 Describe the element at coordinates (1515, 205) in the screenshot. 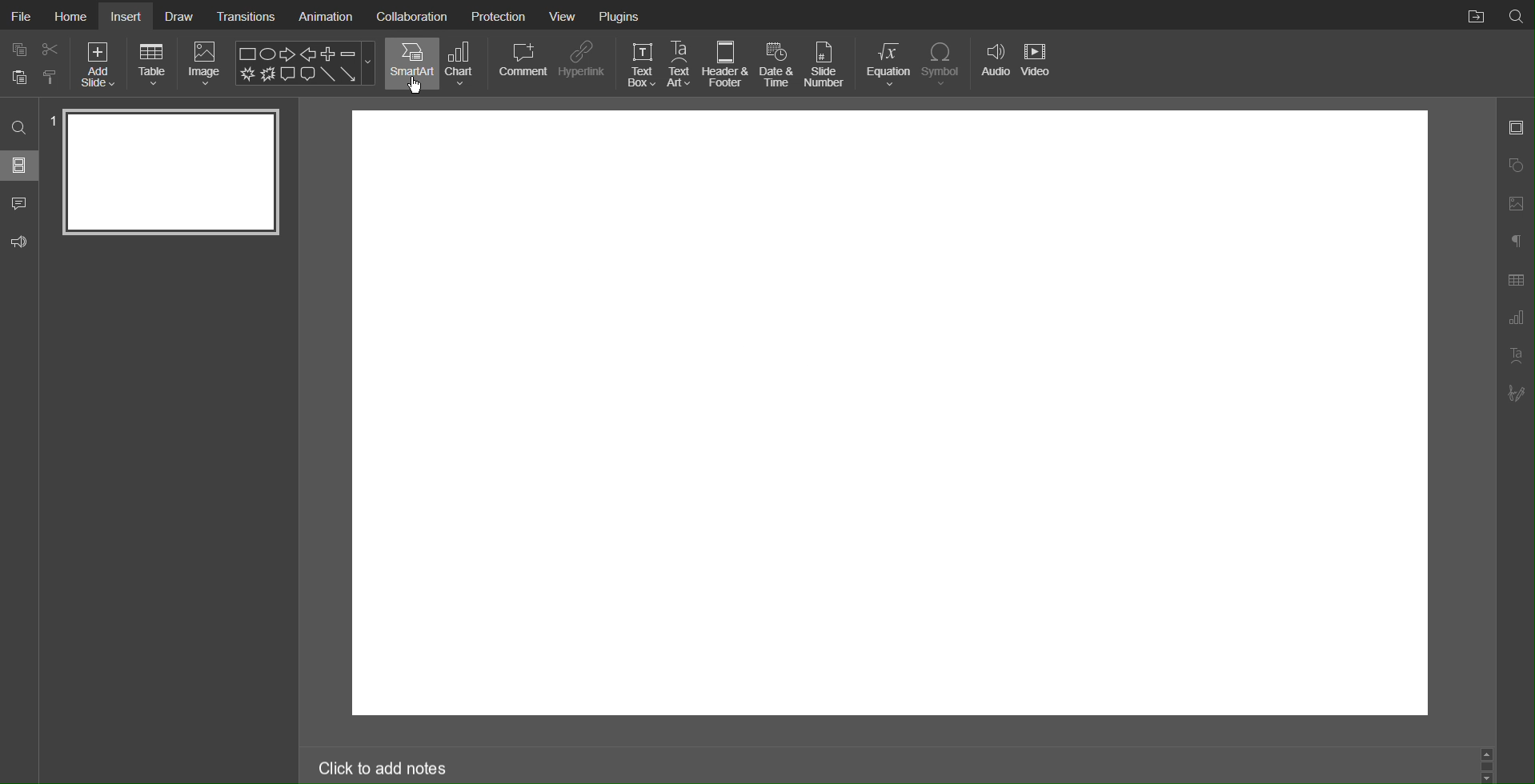

I see `Image Settings` at that location.